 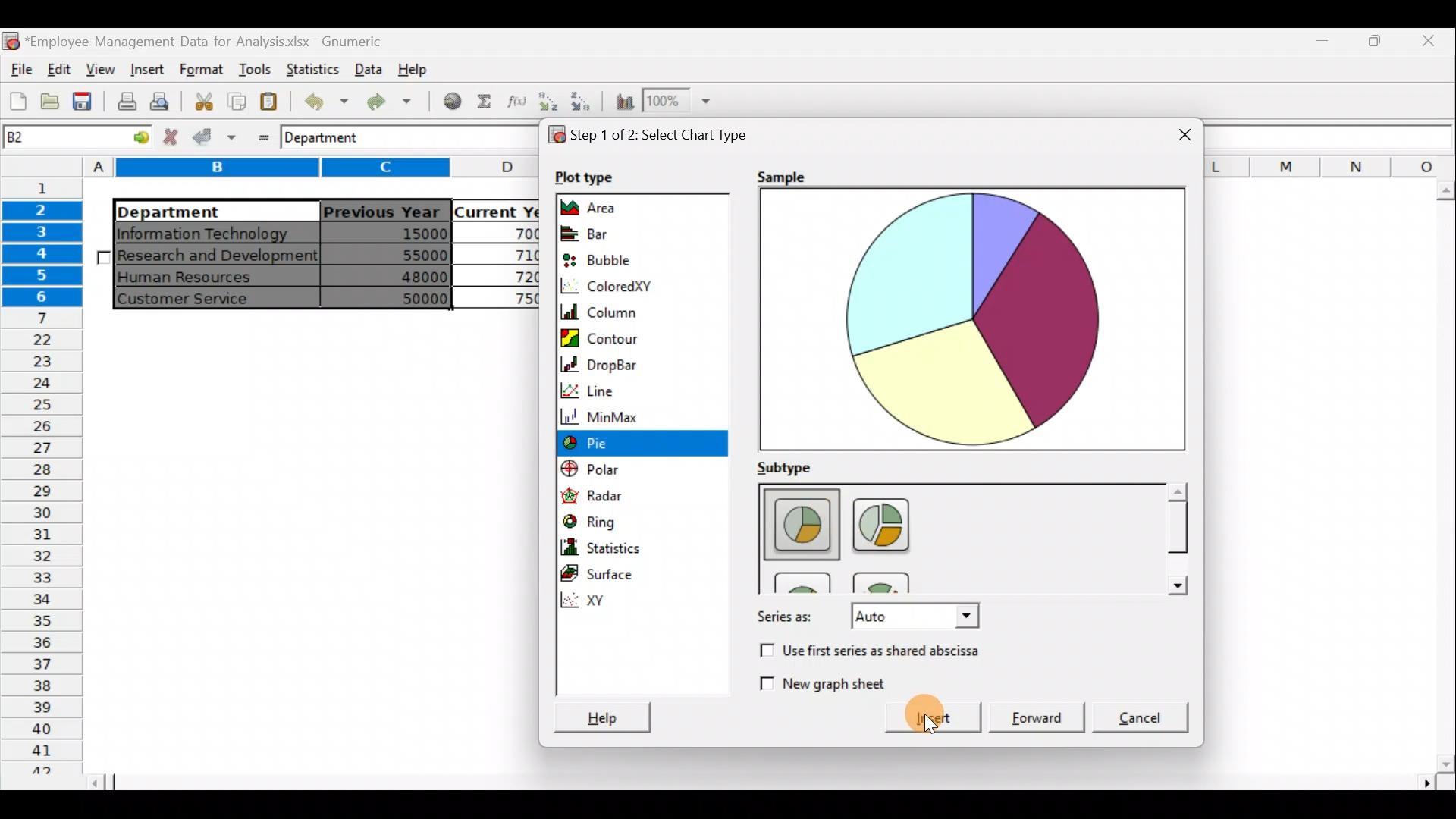 I want to click on Print preview, so click(x=163, y=101).